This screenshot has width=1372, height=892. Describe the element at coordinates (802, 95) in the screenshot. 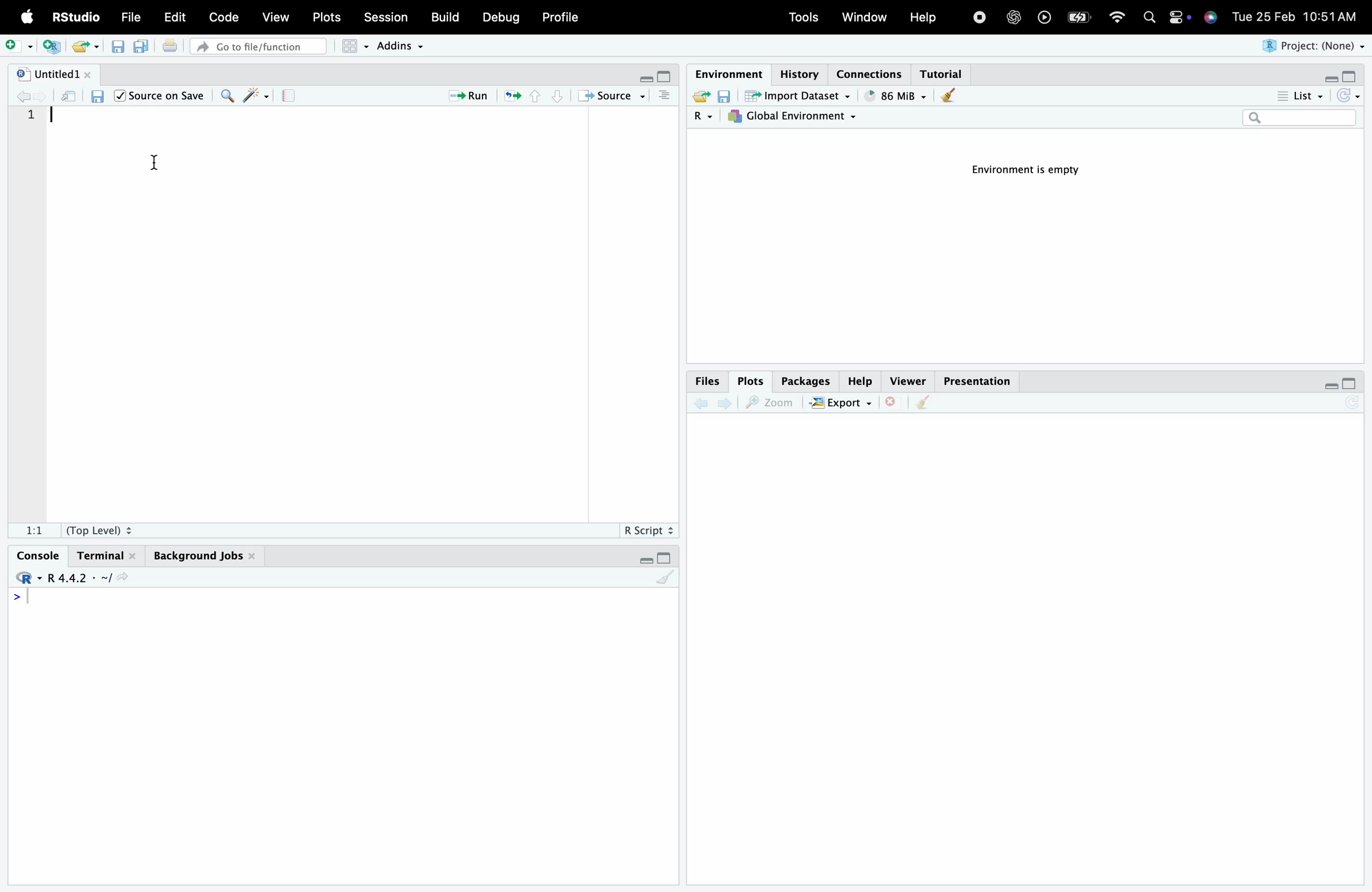

I see `import dataset ~ .` at that location.